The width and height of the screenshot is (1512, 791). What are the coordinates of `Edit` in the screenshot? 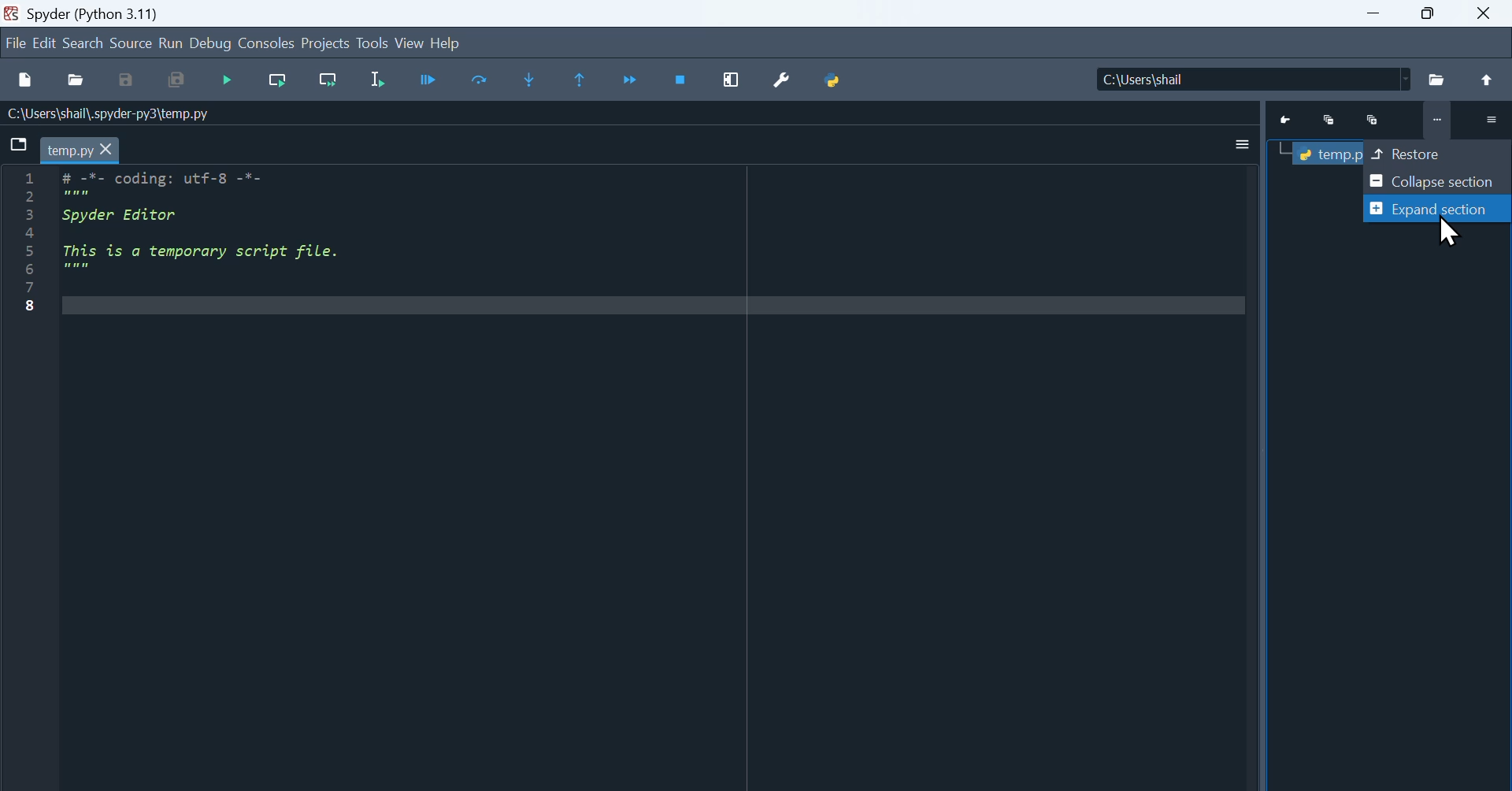 It's located at (45, 45).